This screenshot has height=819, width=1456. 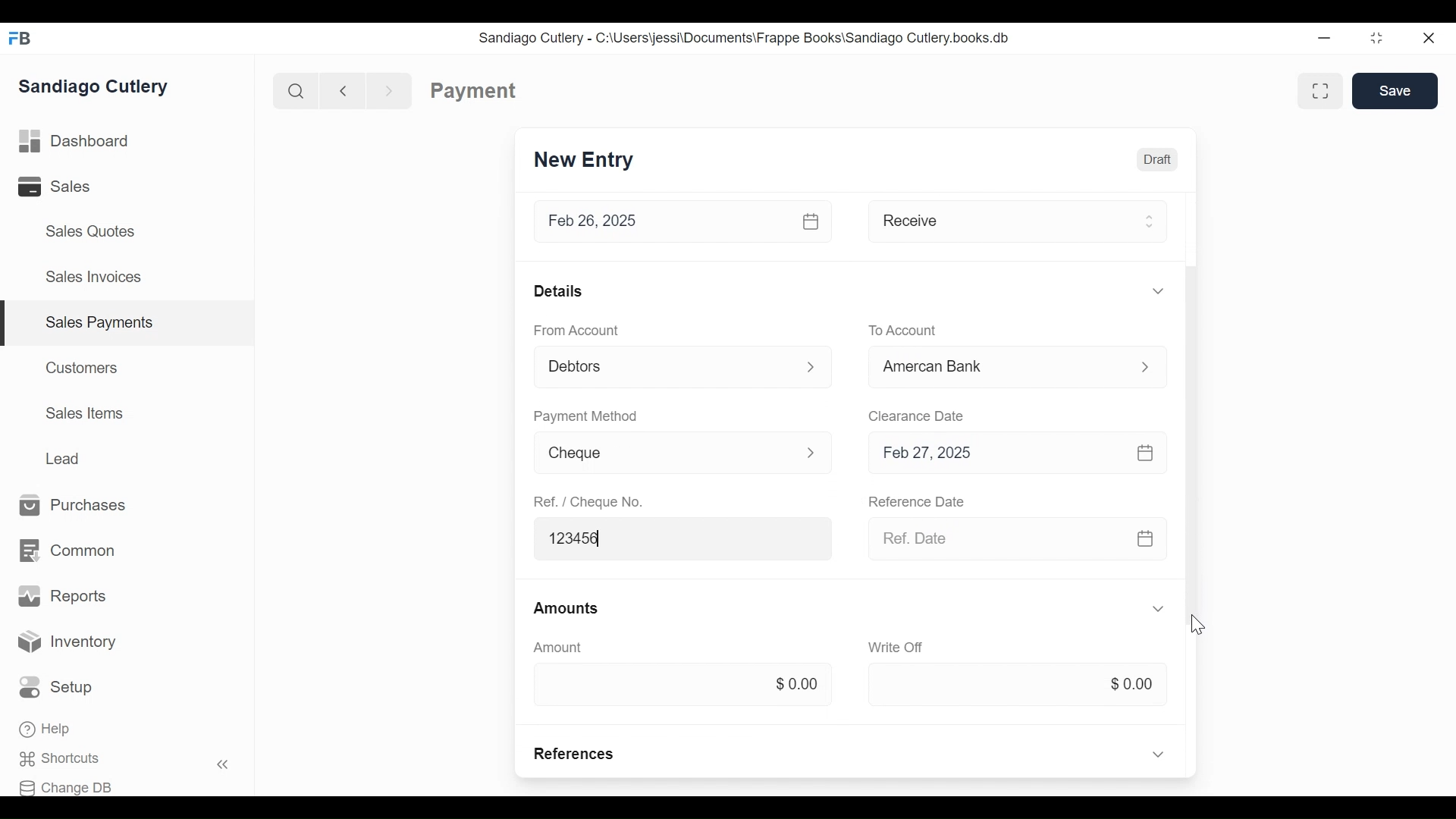 What do you see at coordinates (1395, 90) in the screenshot?
I see `Save` at bounding box center [1395, 90].